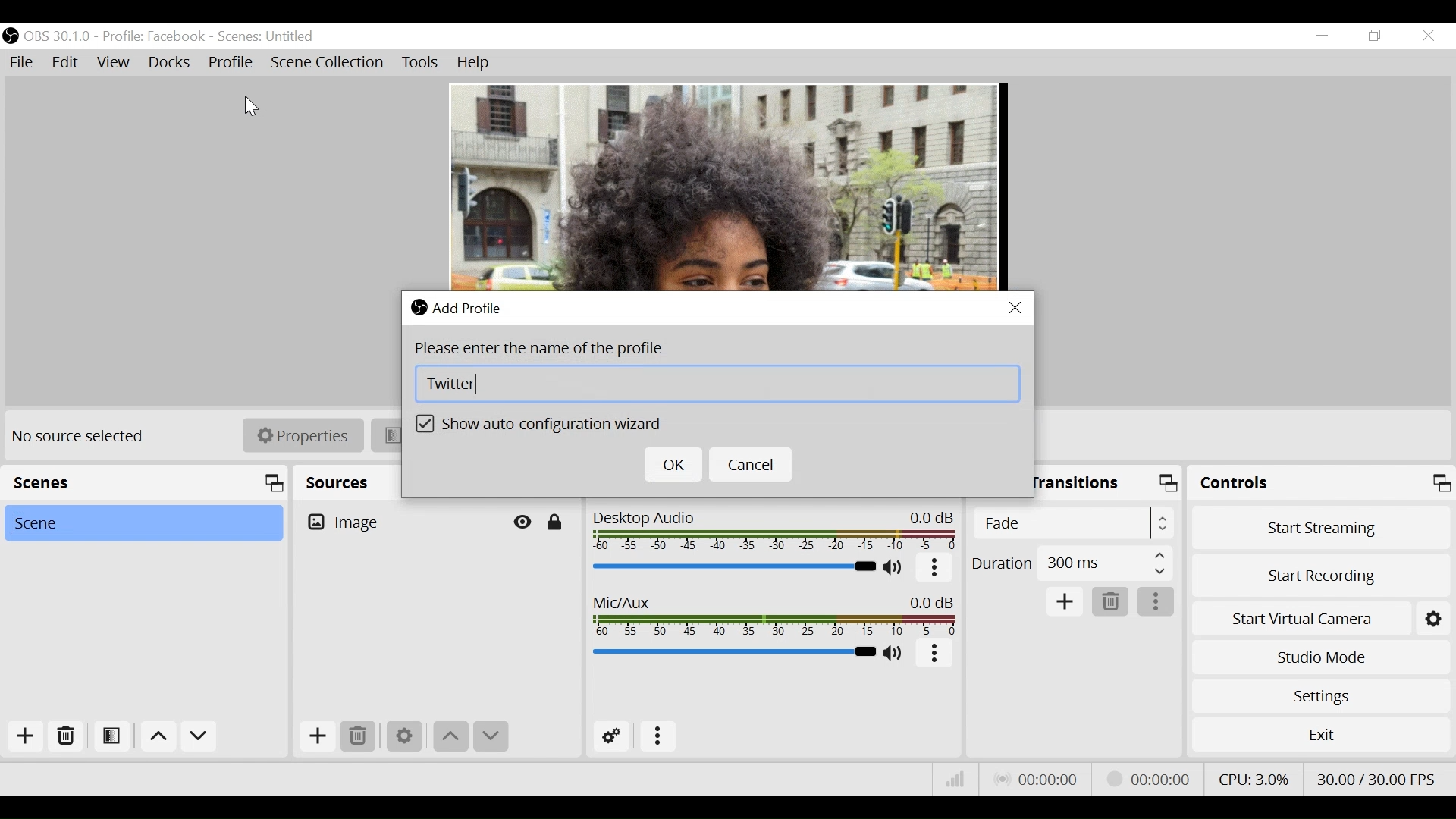  What do you see at coordinates (1079, 482) in the screenshot?
I see `Transitions` at bounding box center [1079, 482].